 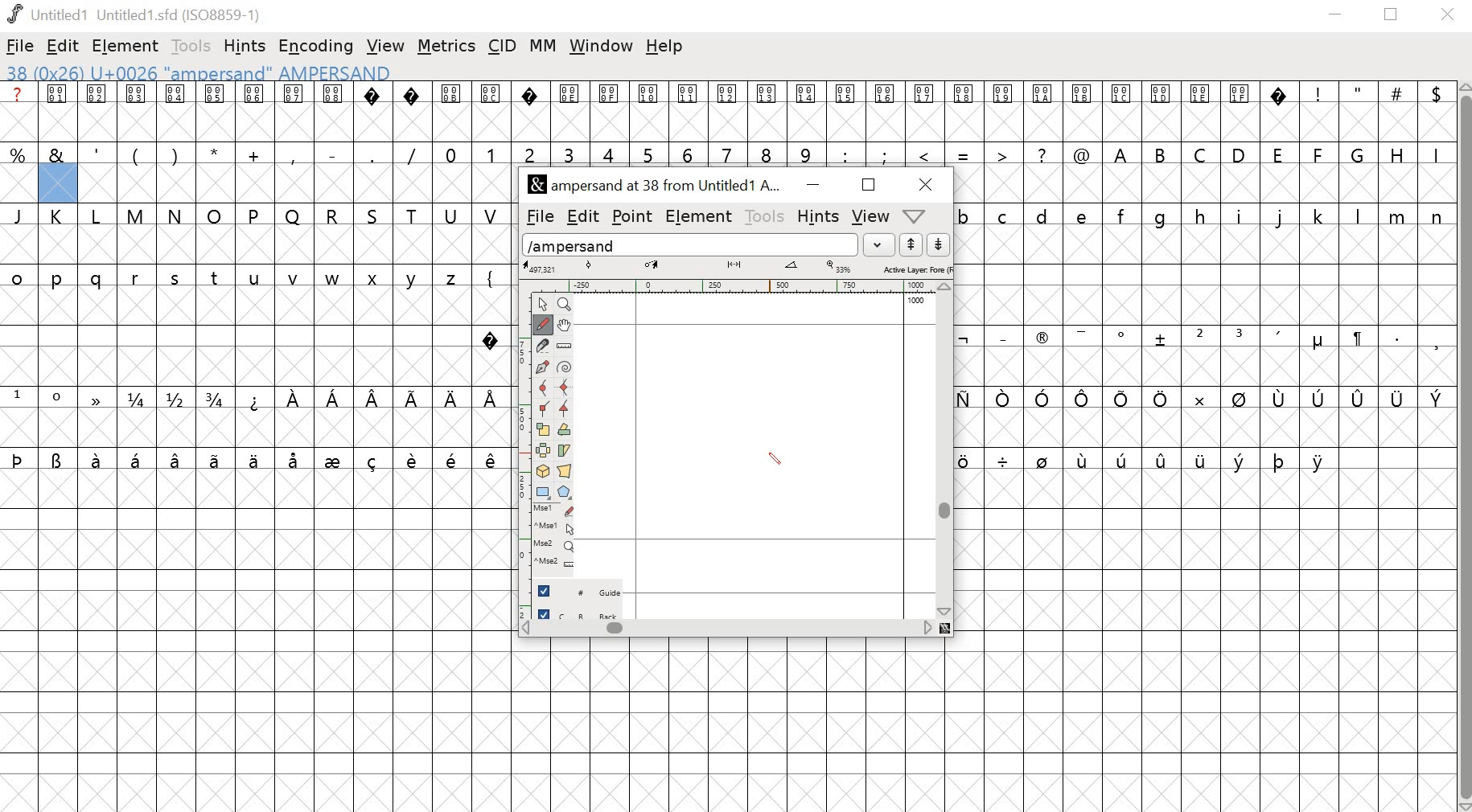 What do you see at coordinates (98, 153) in the screenshot?
I see `'` at bounding box center [98, 153].